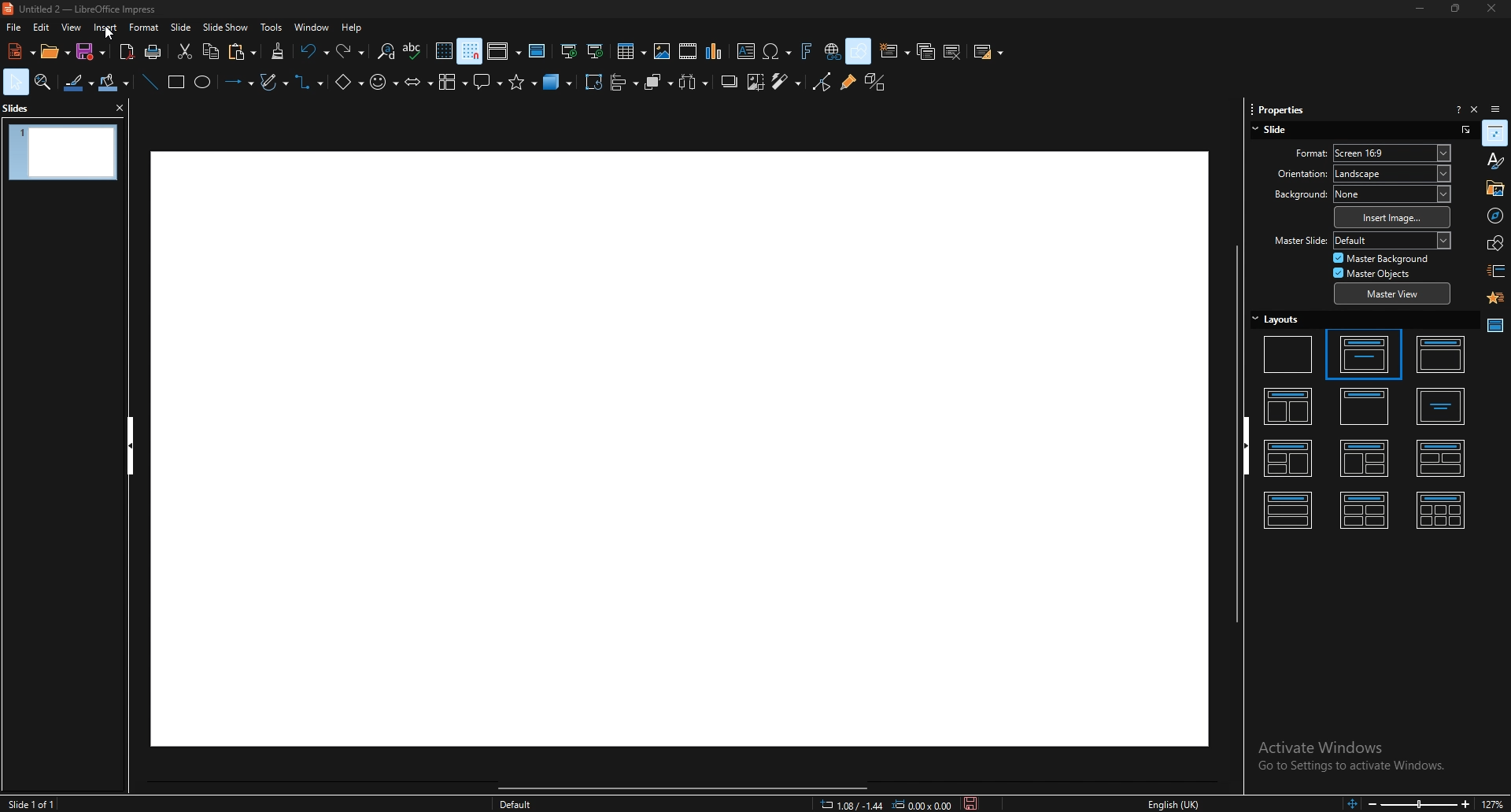  What do you see at coordinates (1289, 353) in the screenshot?
I see `blank slide` at bounding box center [1289, 353].